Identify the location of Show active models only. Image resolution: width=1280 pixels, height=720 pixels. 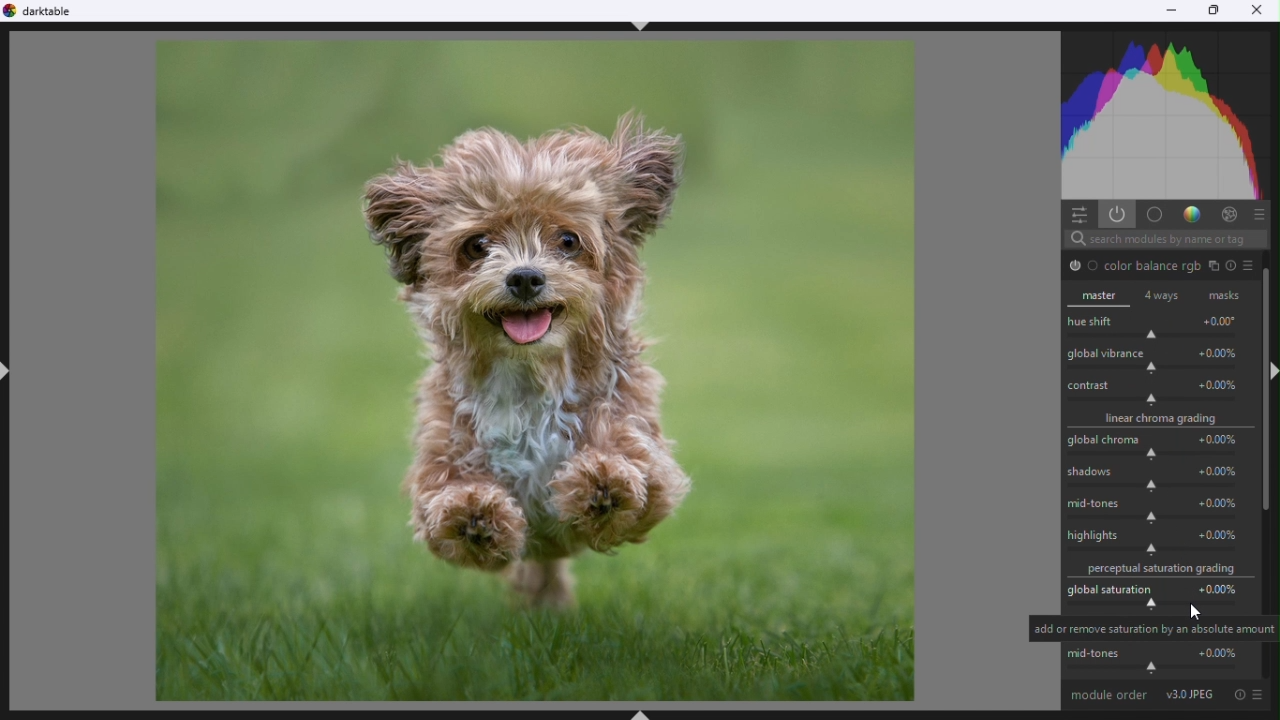
(1117, 215).